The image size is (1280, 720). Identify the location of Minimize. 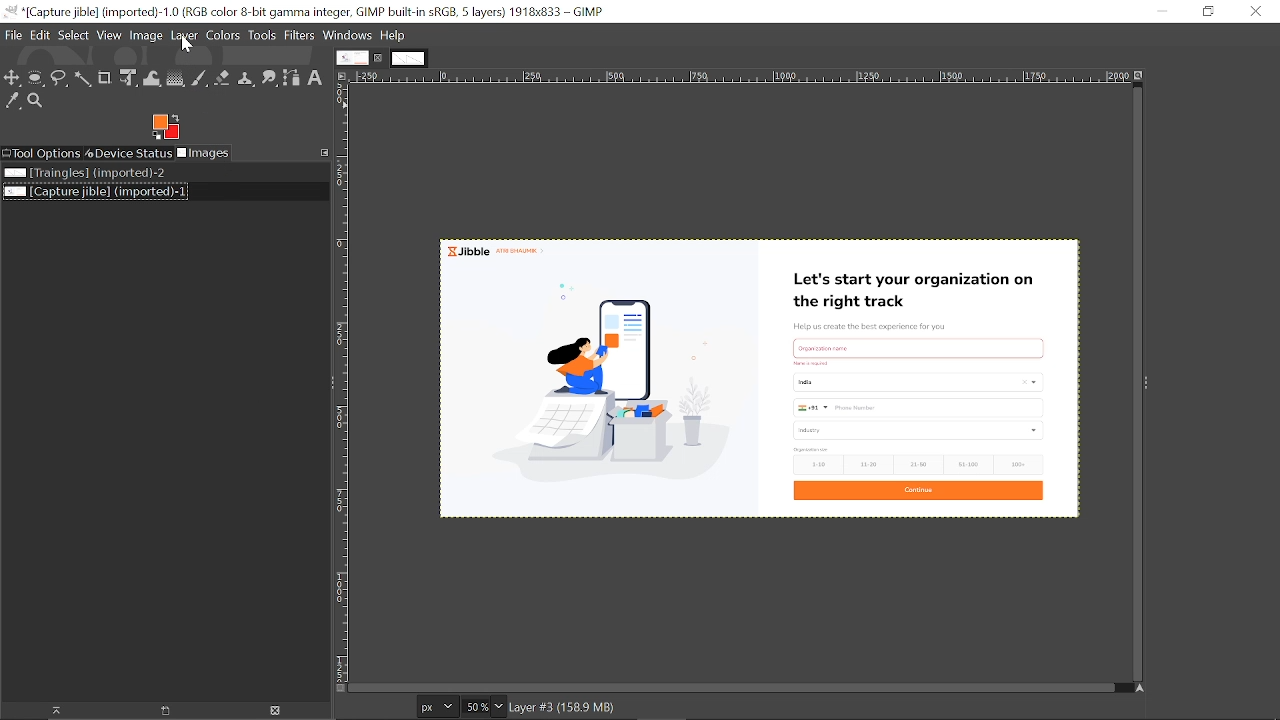
(1162, 12).